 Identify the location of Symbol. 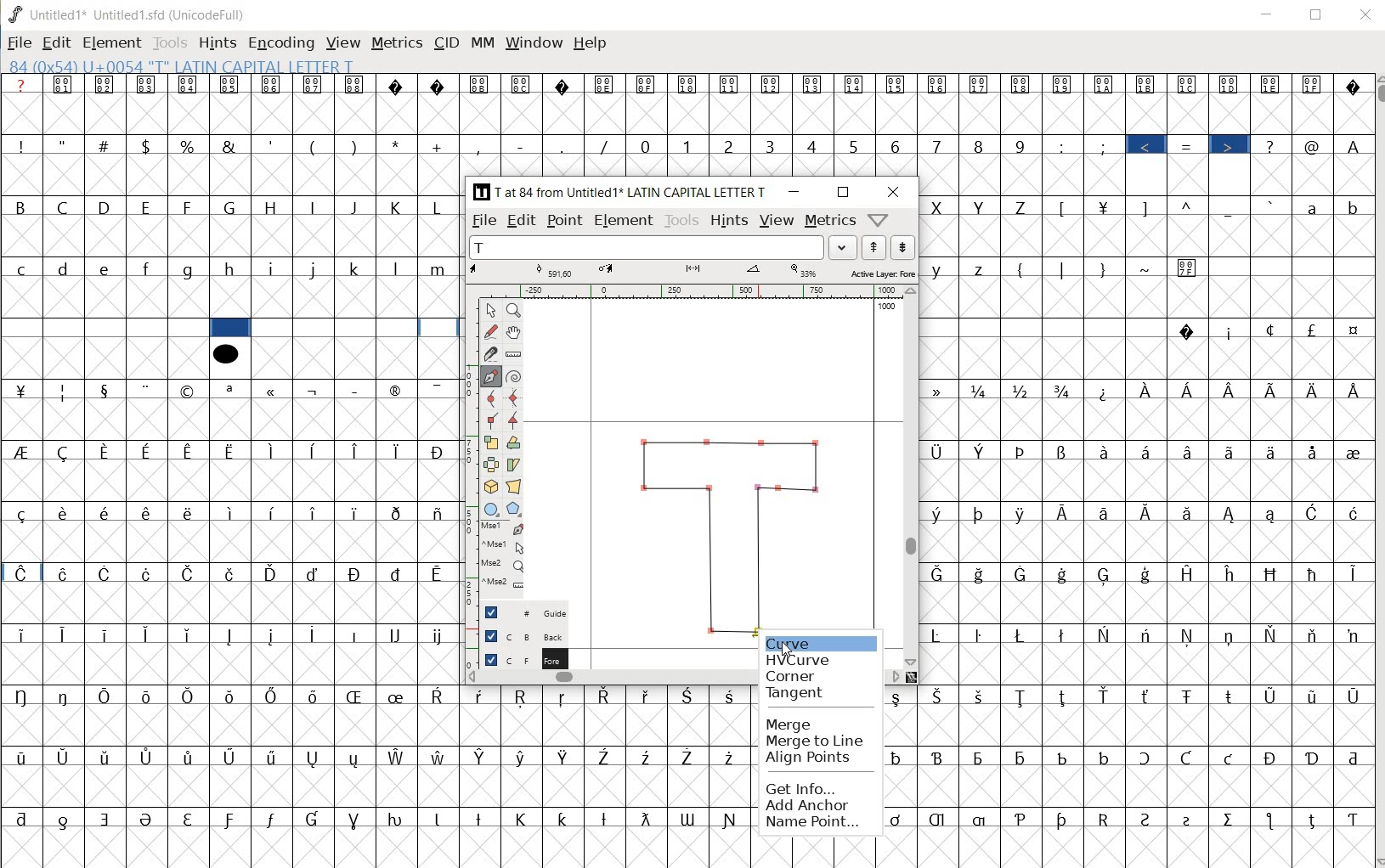
(981, 84).